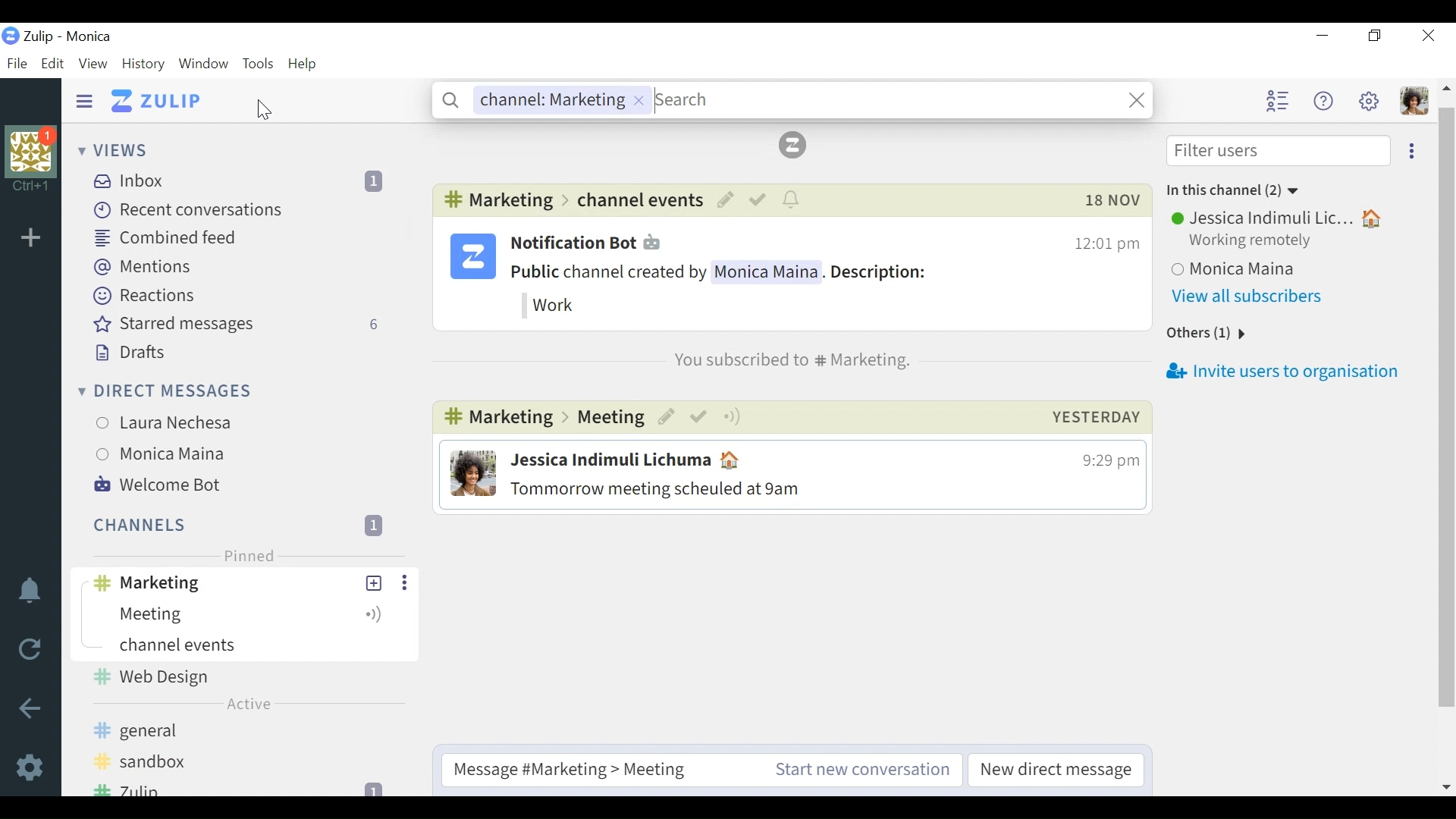 The image size is (1456, 819). What do you see at coordinates (376, 615) in the screenshot?
I see `Configure topic notifications` at bounding box center [376, 615].